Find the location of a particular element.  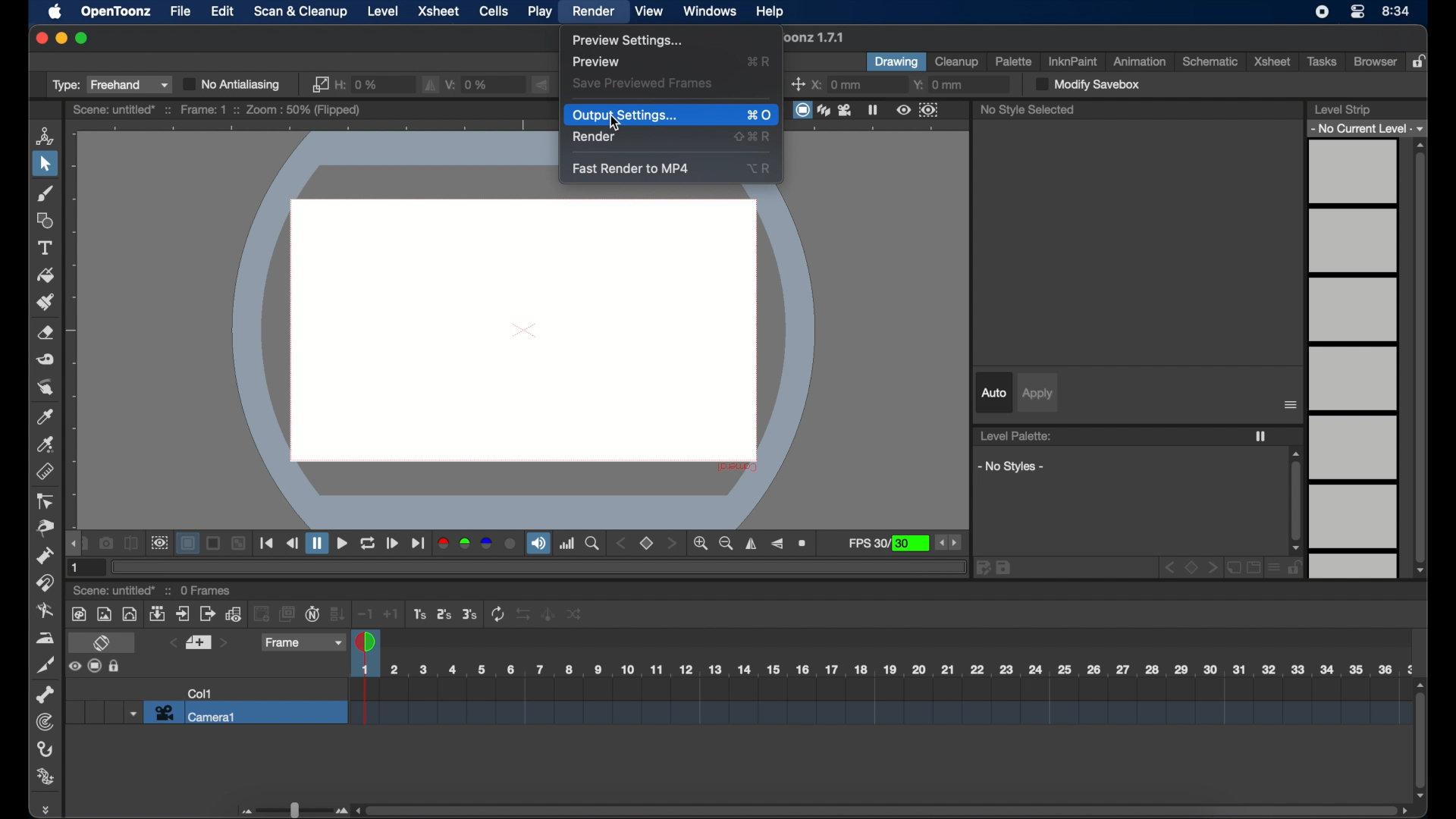

 is located at coordinates (313, 614).